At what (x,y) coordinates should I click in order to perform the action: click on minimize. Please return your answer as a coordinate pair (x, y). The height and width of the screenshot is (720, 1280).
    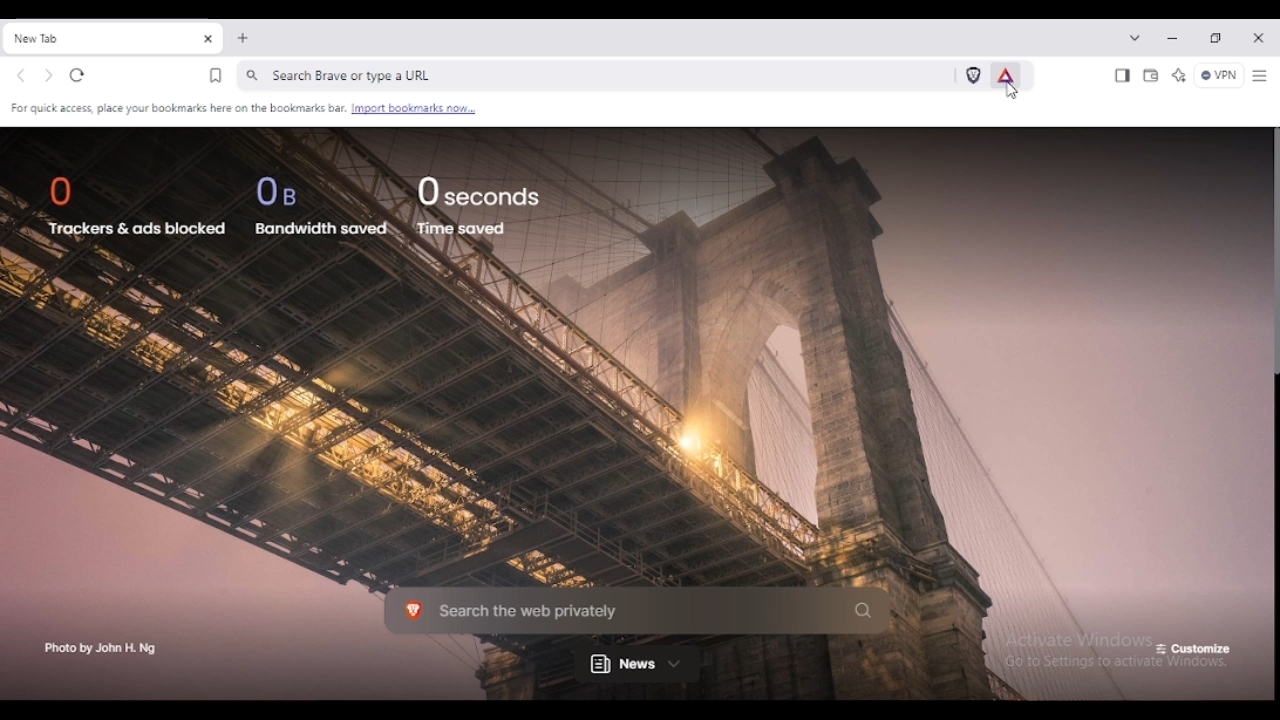
    Looking at the image, I should click on (1173, 40).